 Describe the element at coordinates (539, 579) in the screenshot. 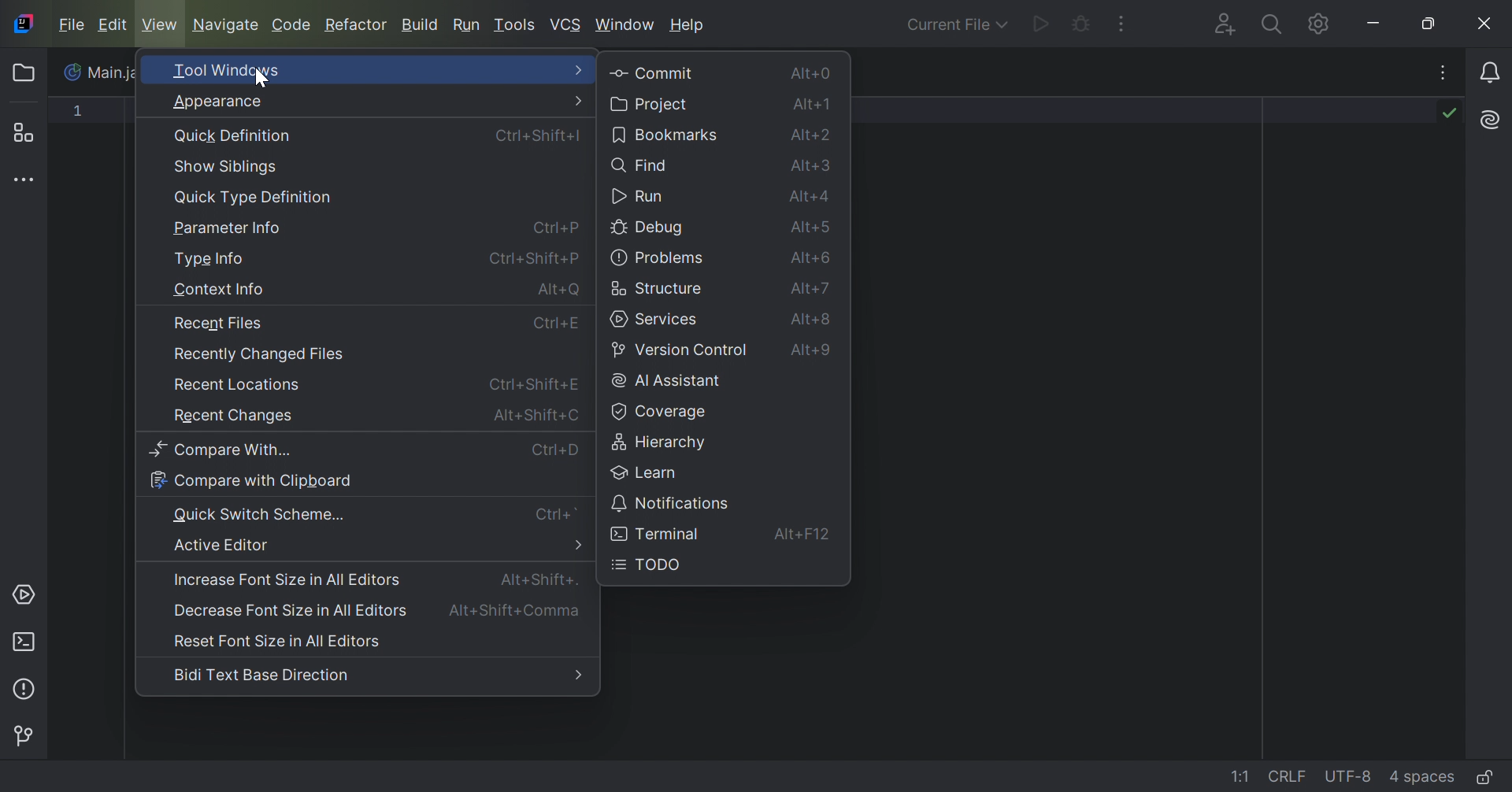

I see `Alt+Shift+,` at that location.